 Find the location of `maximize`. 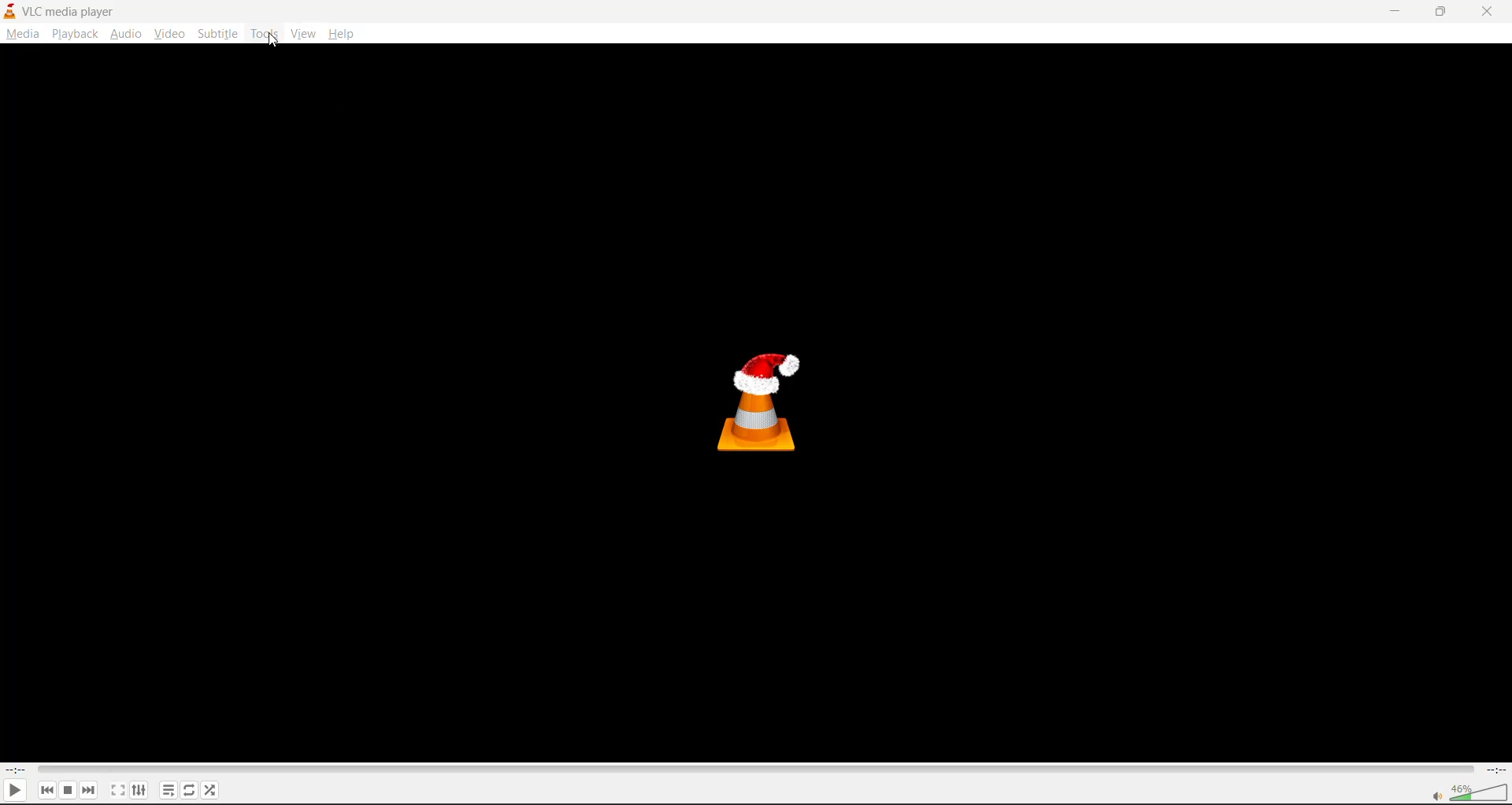

maximize is located at coordinates (1441, 10).